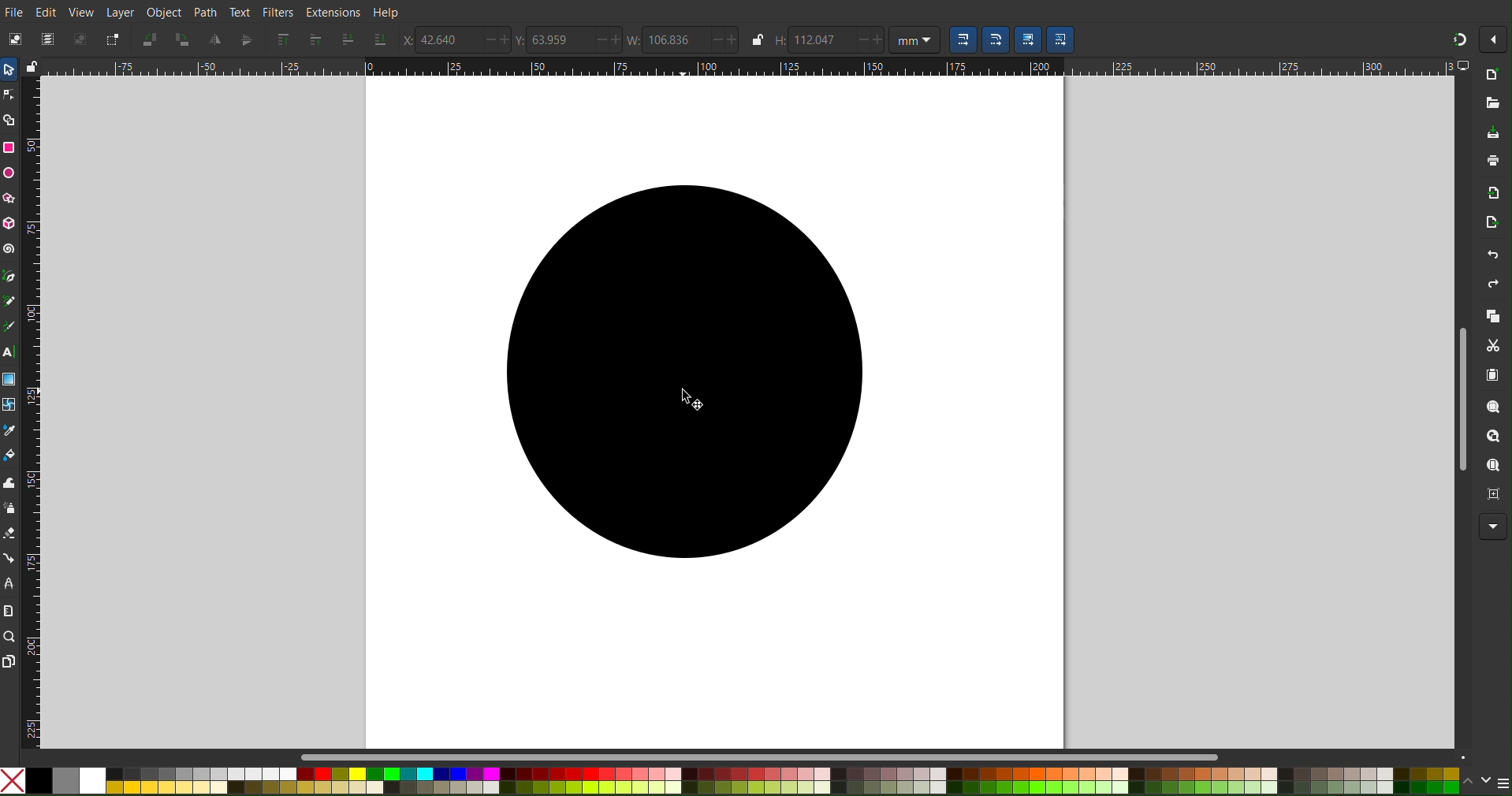 The width and height of the screenshot is (1512, 796). Describe the element at coordinates (914, 39) in the screenshot. I see `Unit` at that location.